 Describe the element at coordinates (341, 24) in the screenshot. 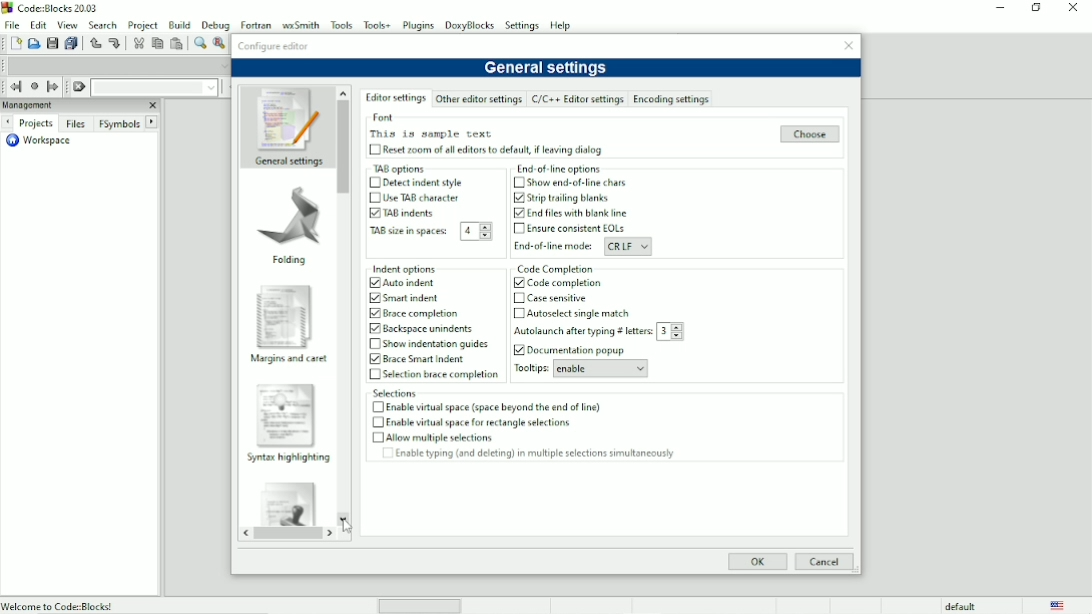

I see `Tools` at that location.